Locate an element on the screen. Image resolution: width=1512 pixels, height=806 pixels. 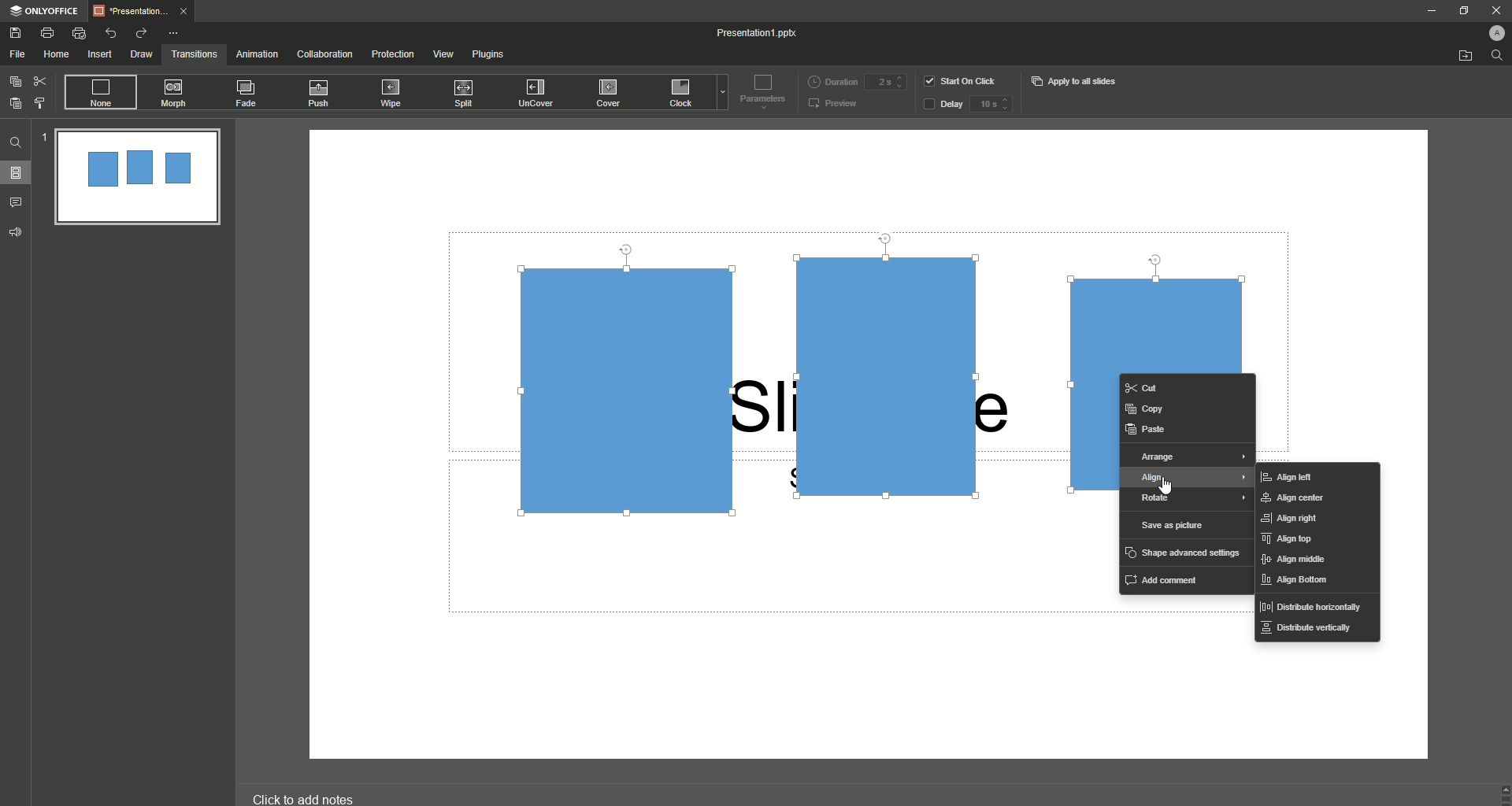
Paste is located at coordinates (16, 103).